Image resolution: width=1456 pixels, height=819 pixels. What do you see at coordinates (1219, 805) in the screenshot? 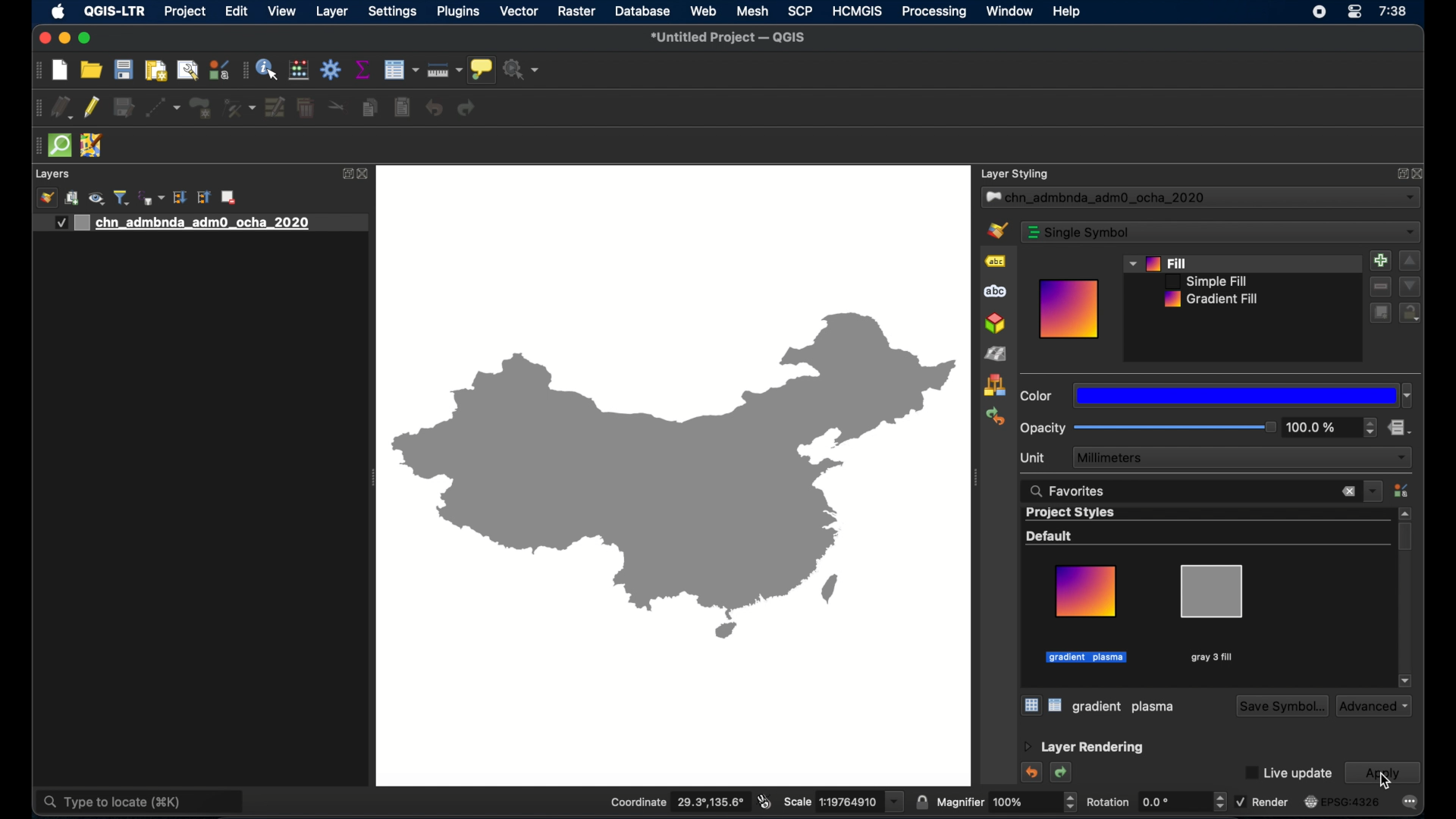
I see `increase/decrease arrows` at bounding box center [1219, 805].